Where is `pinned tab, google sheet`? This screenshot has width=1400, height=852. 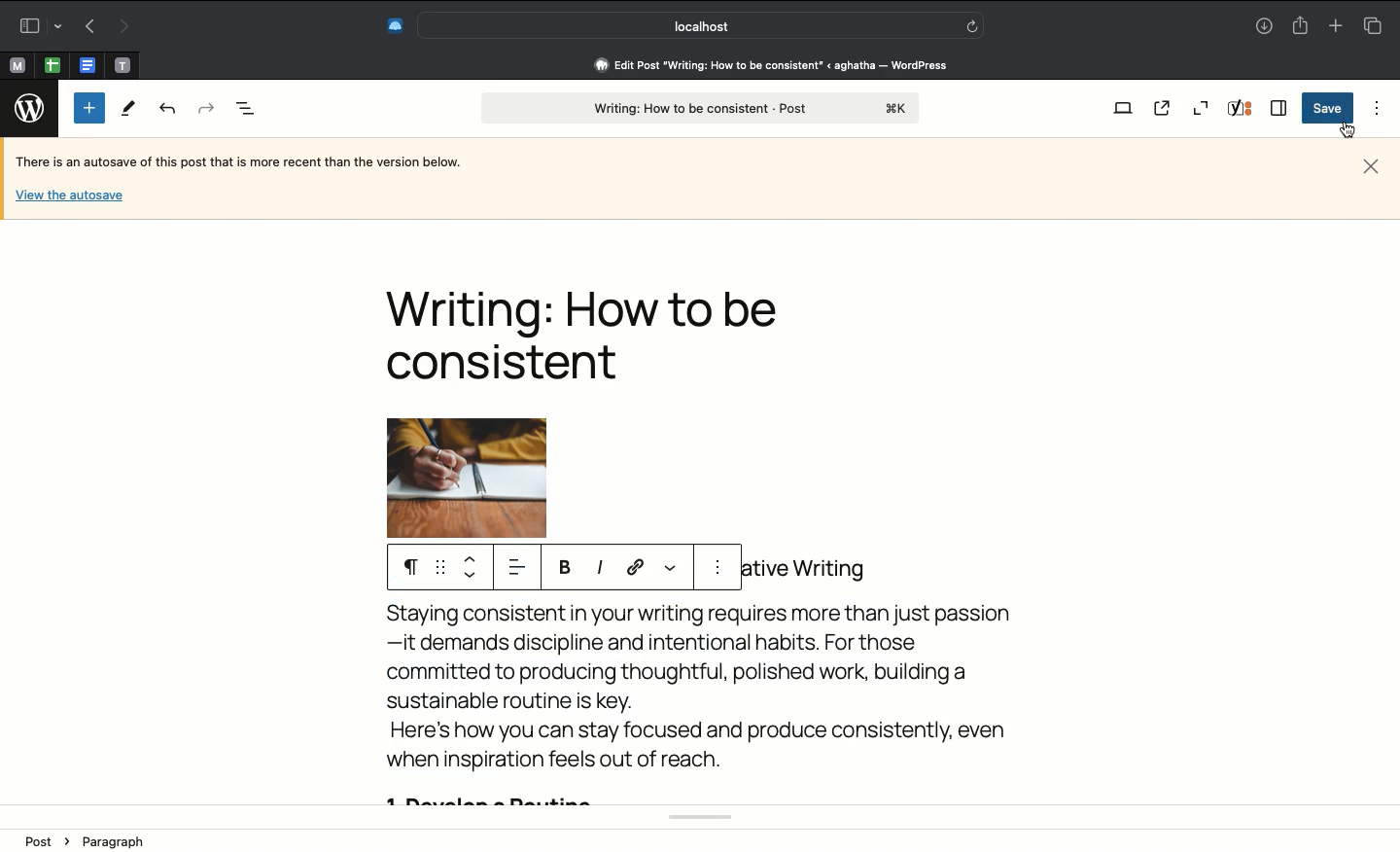
pinned tab, google sheet is located at coordinates (52, 62).